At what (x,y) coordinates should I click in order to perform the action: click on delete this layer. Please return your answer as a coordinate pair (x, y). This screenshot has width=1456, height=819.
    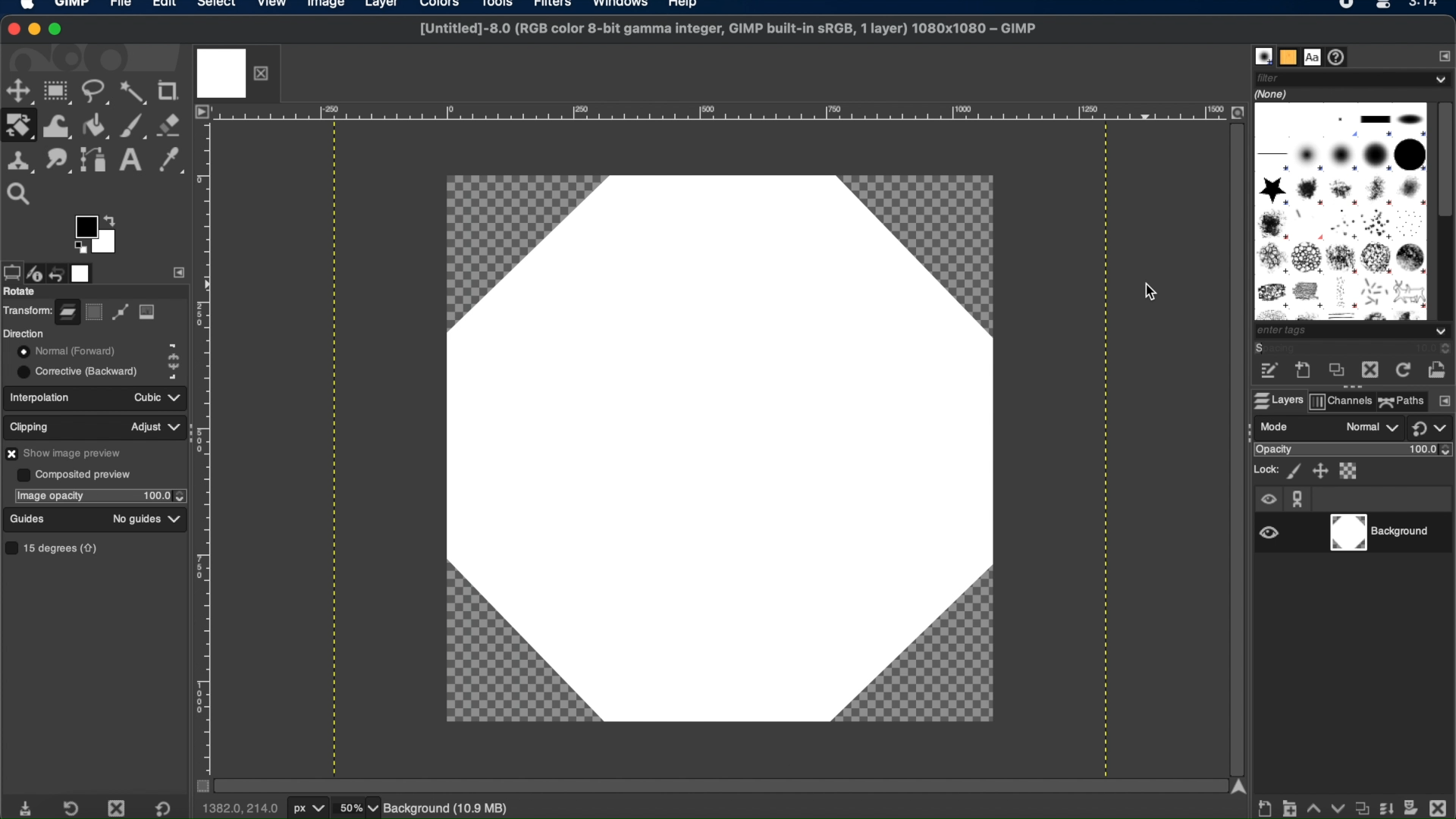
    Looking at the image, I should click on (1438, 804).